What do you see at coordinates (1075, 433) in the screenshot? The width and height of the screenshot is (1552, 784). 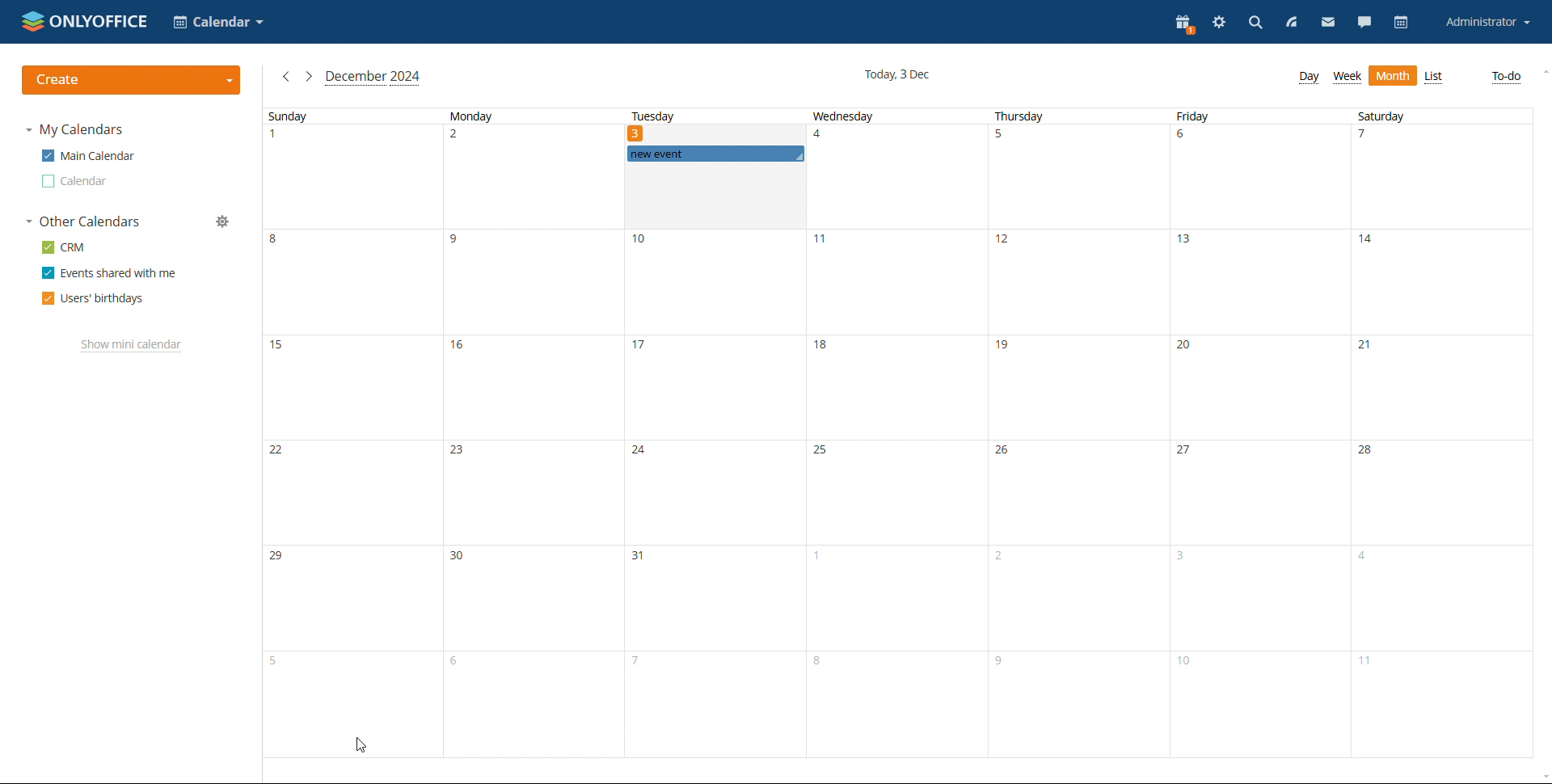 I see `thursday` at bounding box center [1075, 433].